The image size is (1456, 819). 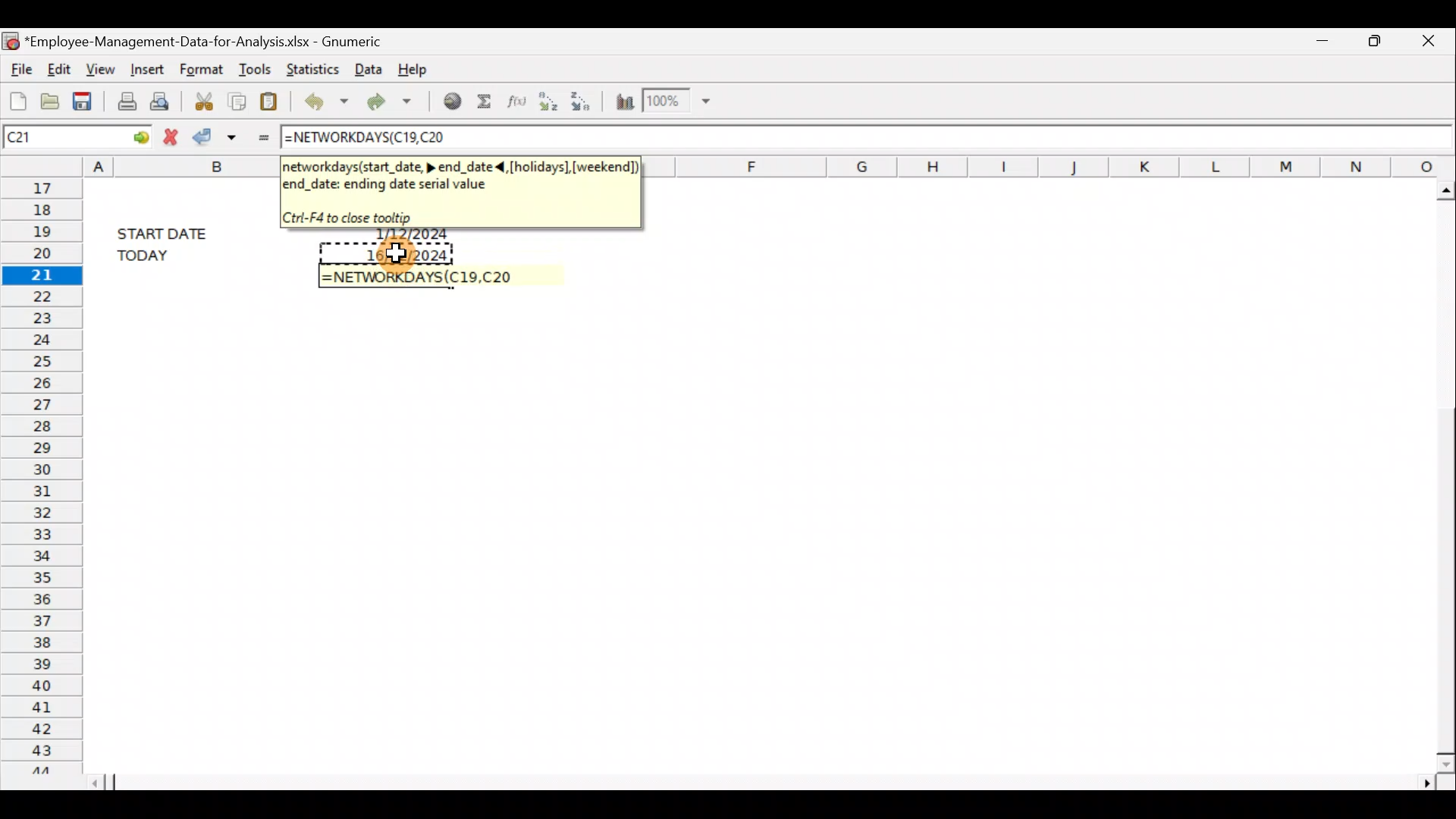 I want to click on Accept change, so click(x=217, y=136).